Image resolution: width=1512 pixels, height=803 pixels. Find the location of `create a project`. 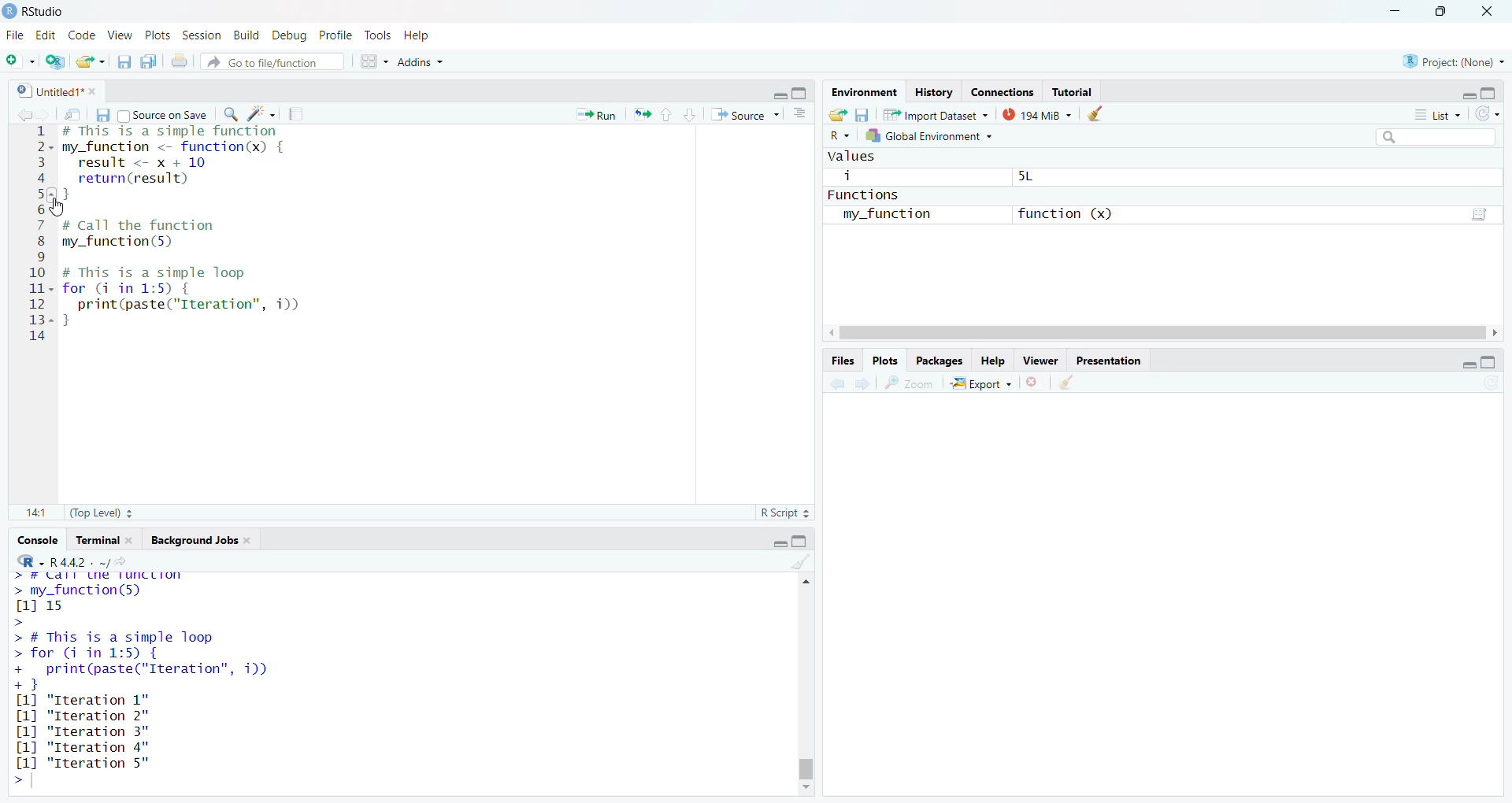

create a project is located at coordinates (55, 59).